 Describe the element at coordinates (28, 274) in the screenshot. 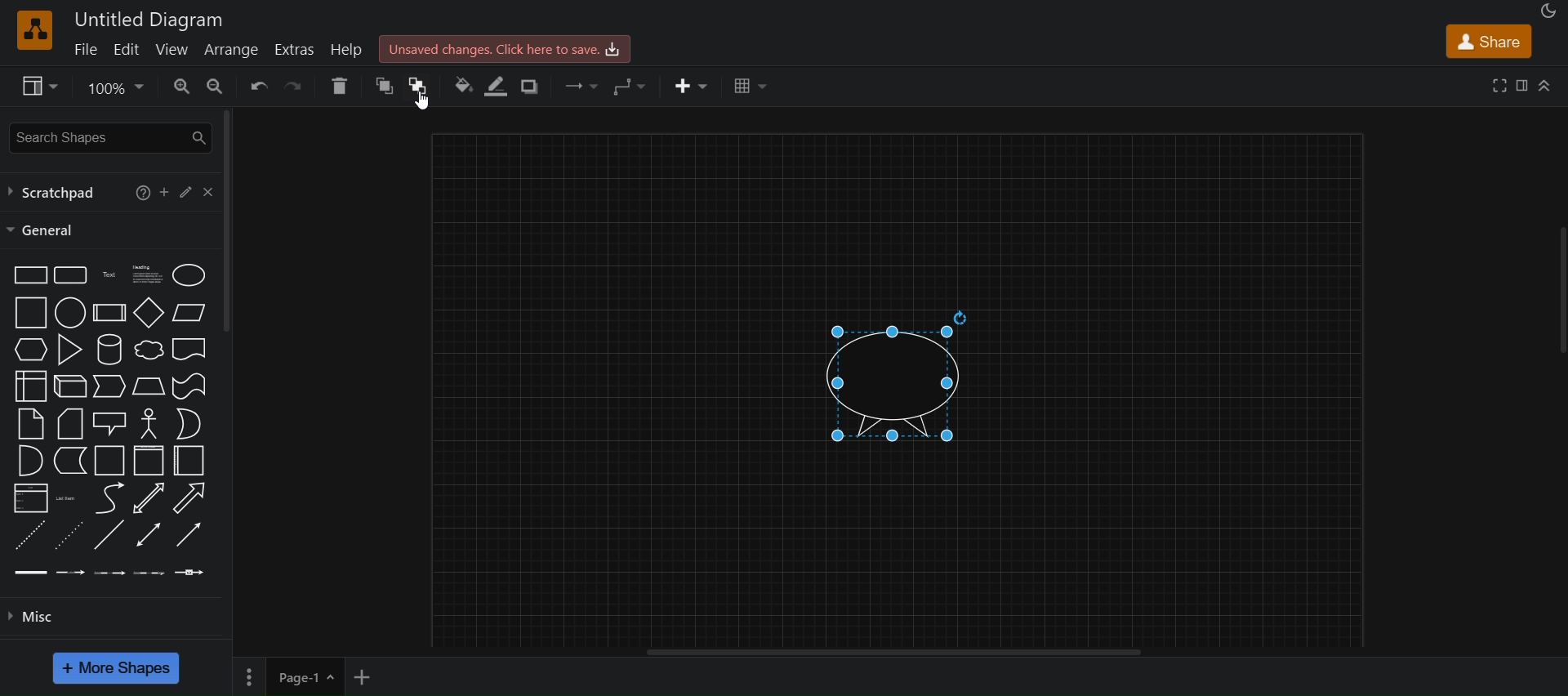

I see `rectangle` at that location.